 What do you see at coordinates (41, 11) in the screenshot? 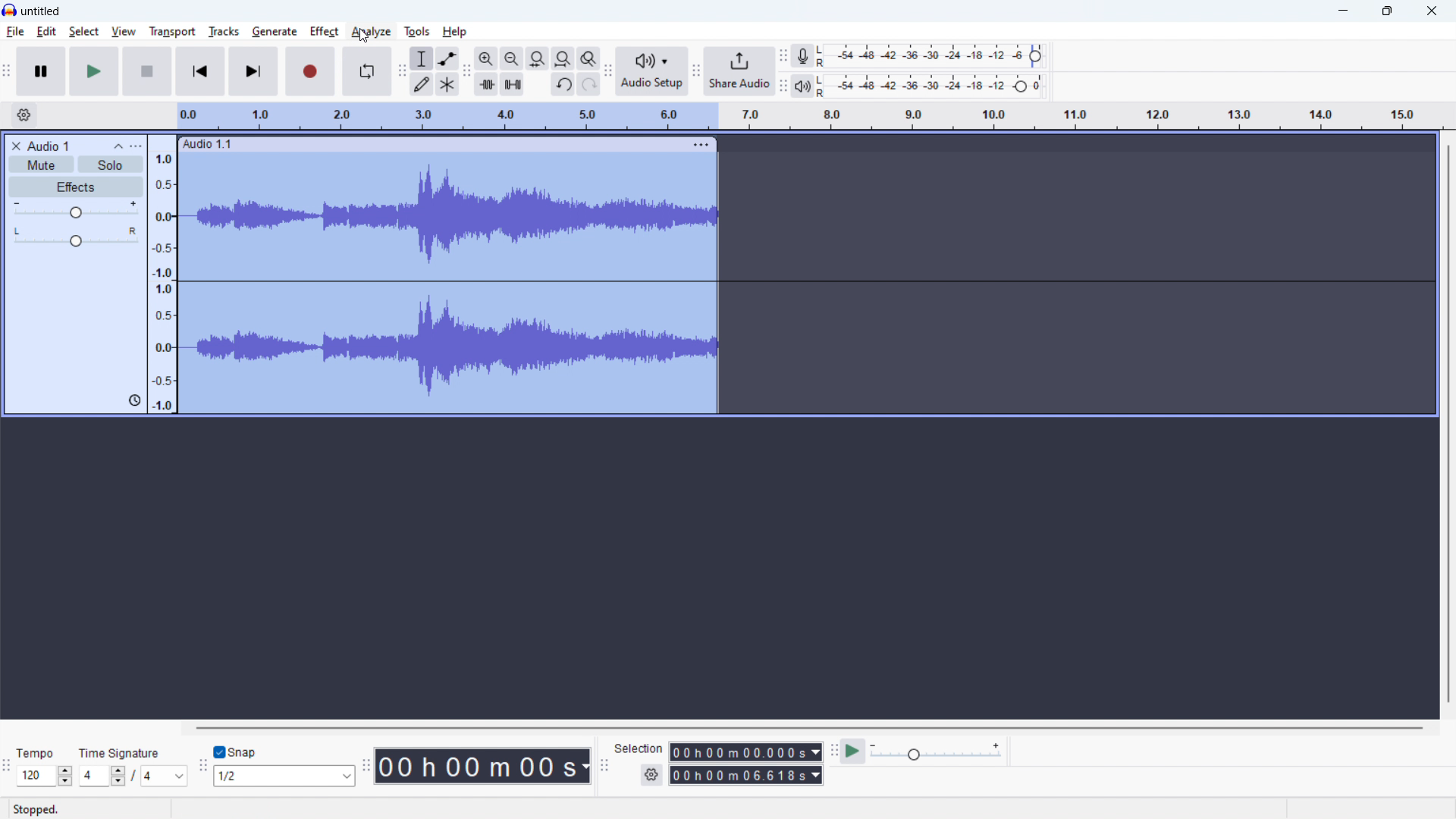
I see `title` at bounding box center [41, 11].